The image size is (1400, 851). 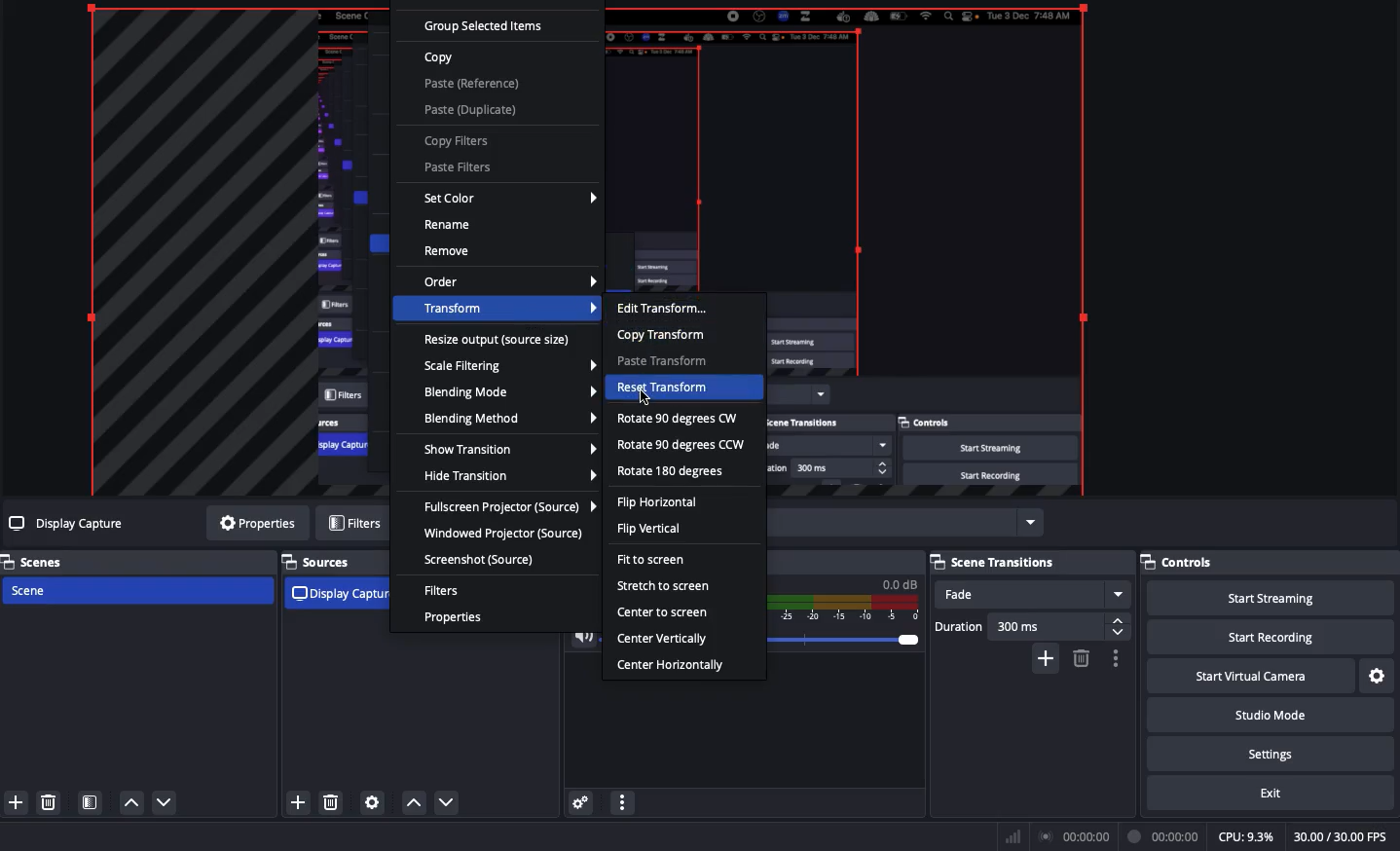 I want to click on Delete, so click(x=48, y=801).